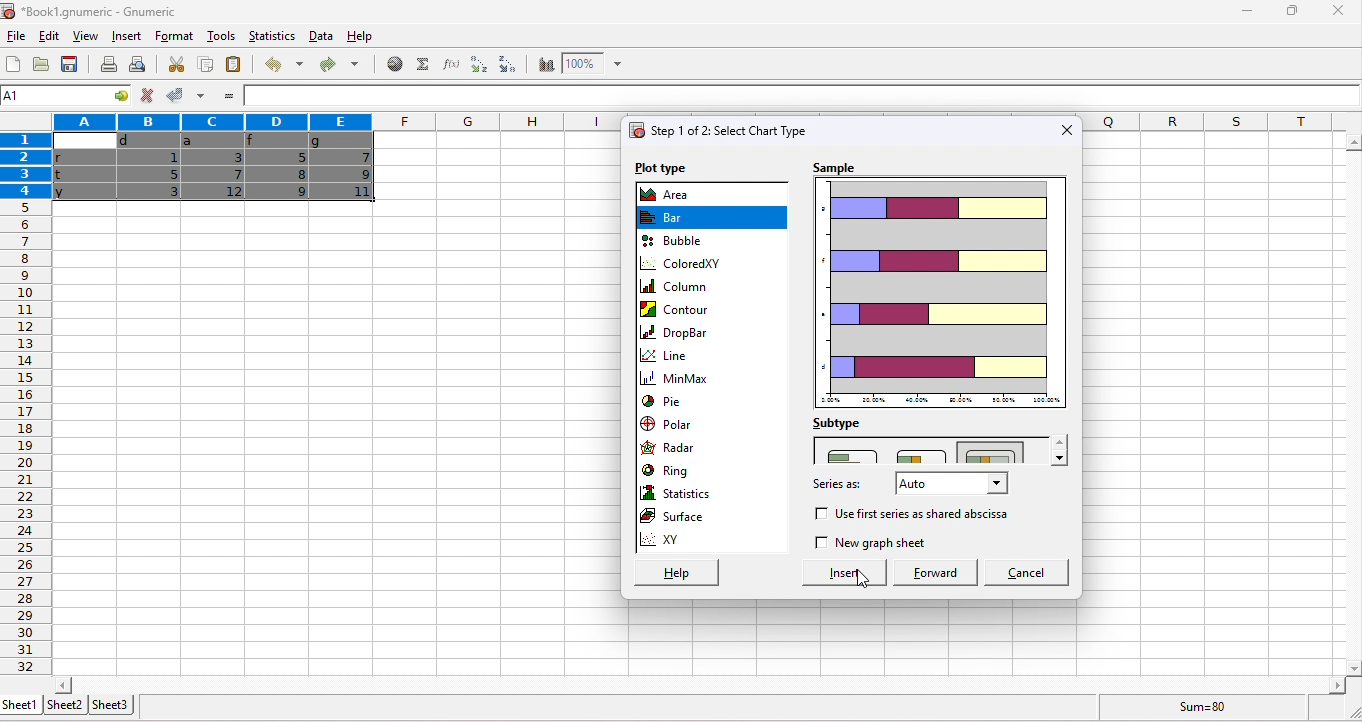  Describe the element at coordinates (679, 240) in the screenshot. I see `bubble` at that location.